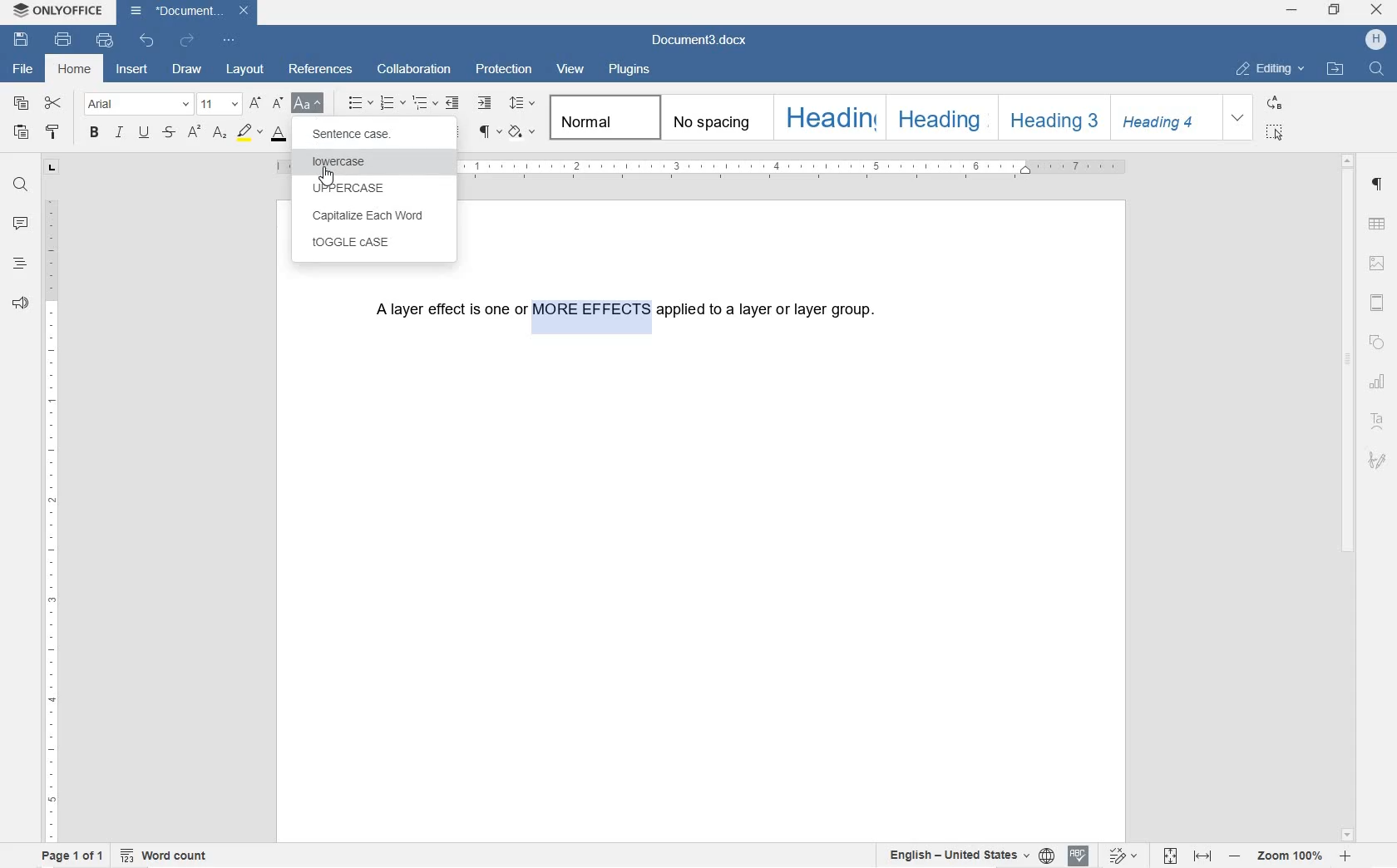  What do you see at coordinates (380, 247) in the screenshot?
I see `TOGGLE CASE` at bounding box center [380, 247].